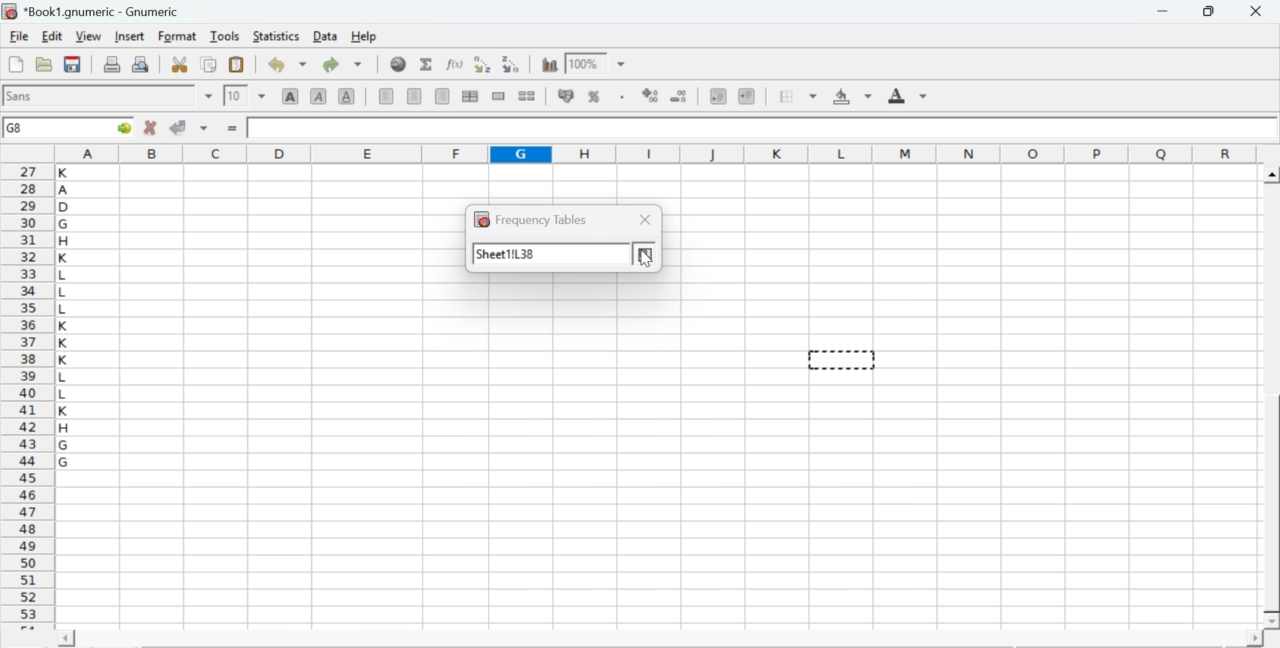  I want to click on split merged ranges of cells, so click(526, 95).